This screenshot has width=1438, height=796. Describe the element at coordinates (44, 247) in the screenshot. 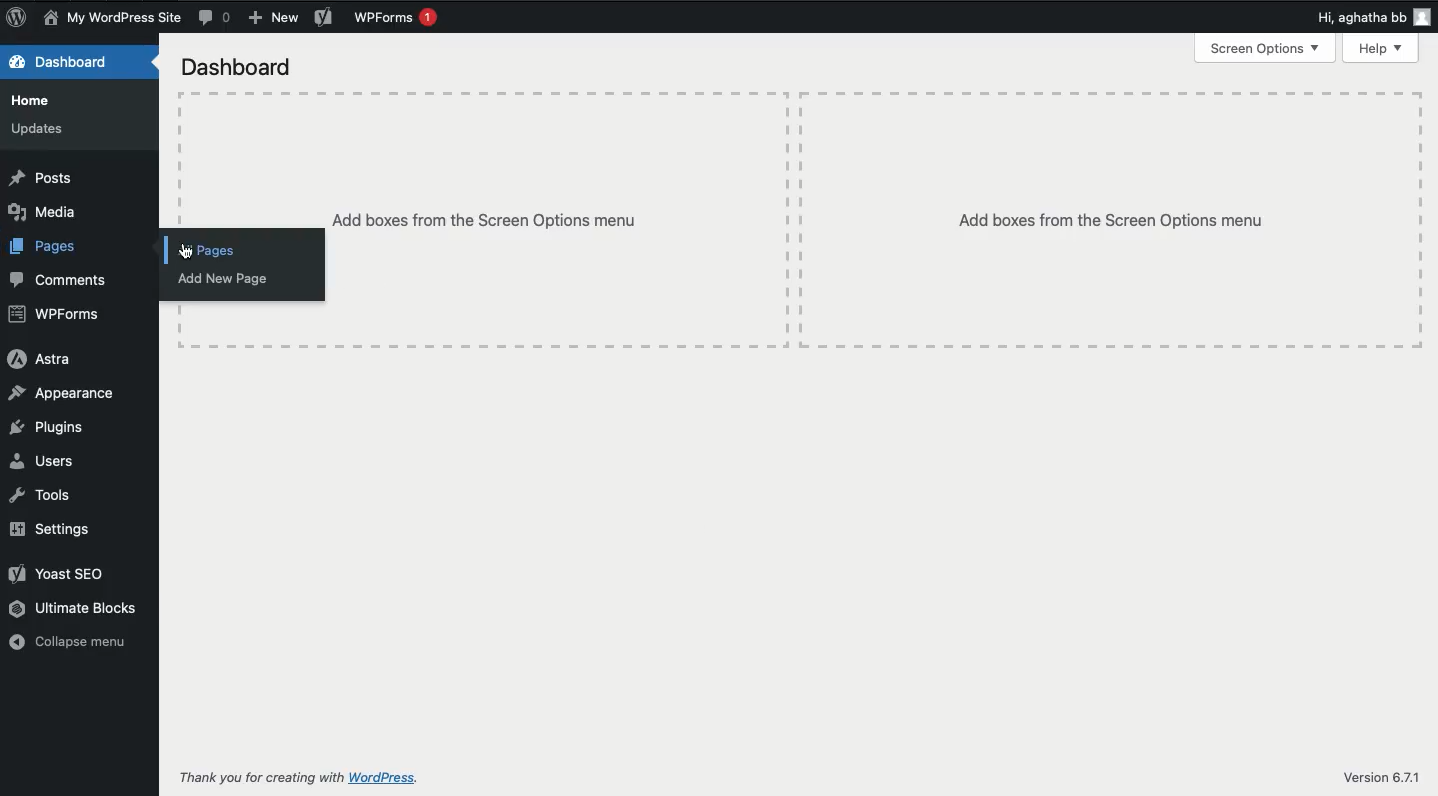

I see `Pages` at that location.